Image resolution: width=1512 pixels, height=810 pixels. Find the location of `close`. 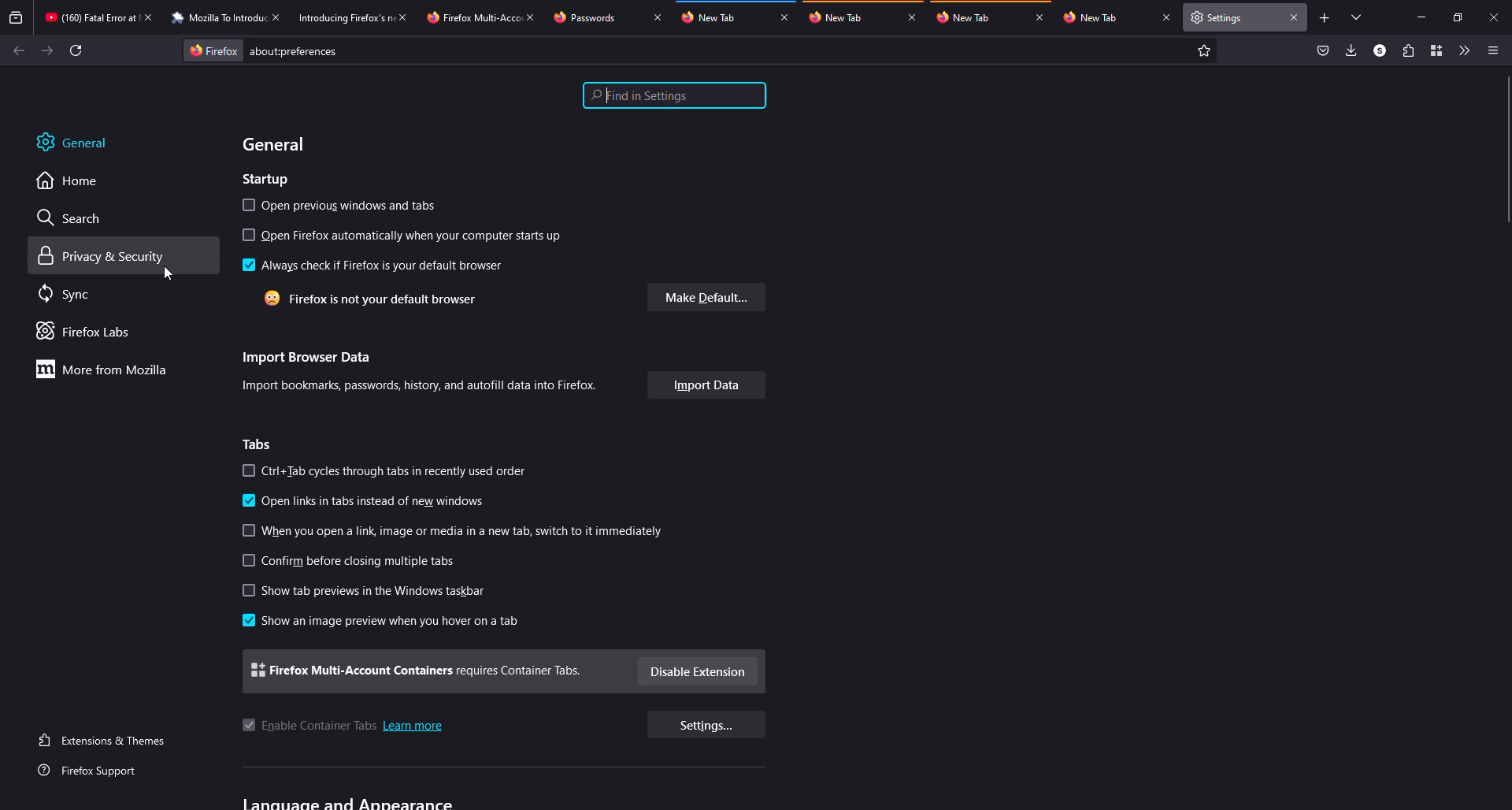

close is located at coordinates (655, 17).